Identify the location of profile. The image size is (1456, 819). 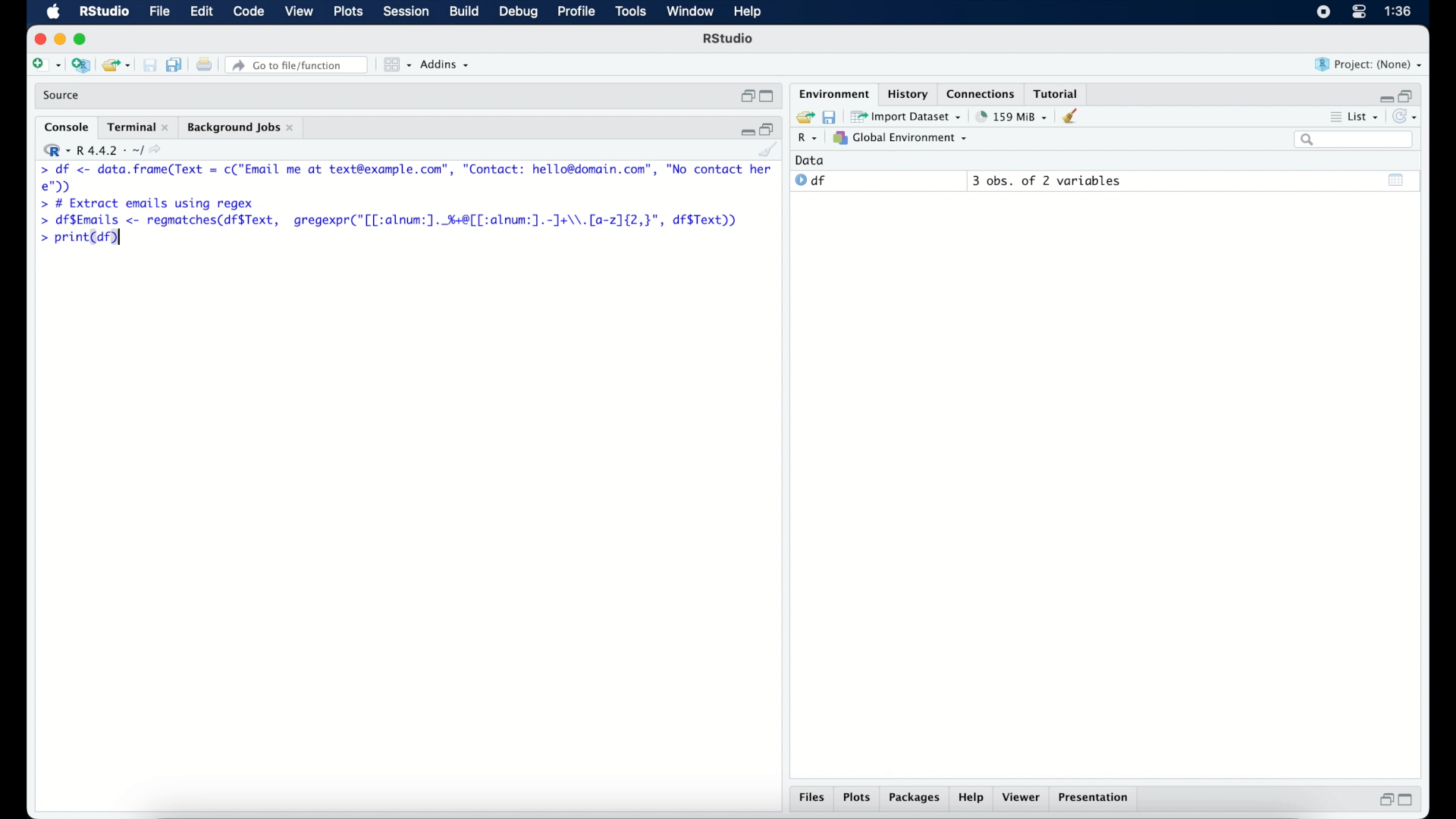
(576, 12).